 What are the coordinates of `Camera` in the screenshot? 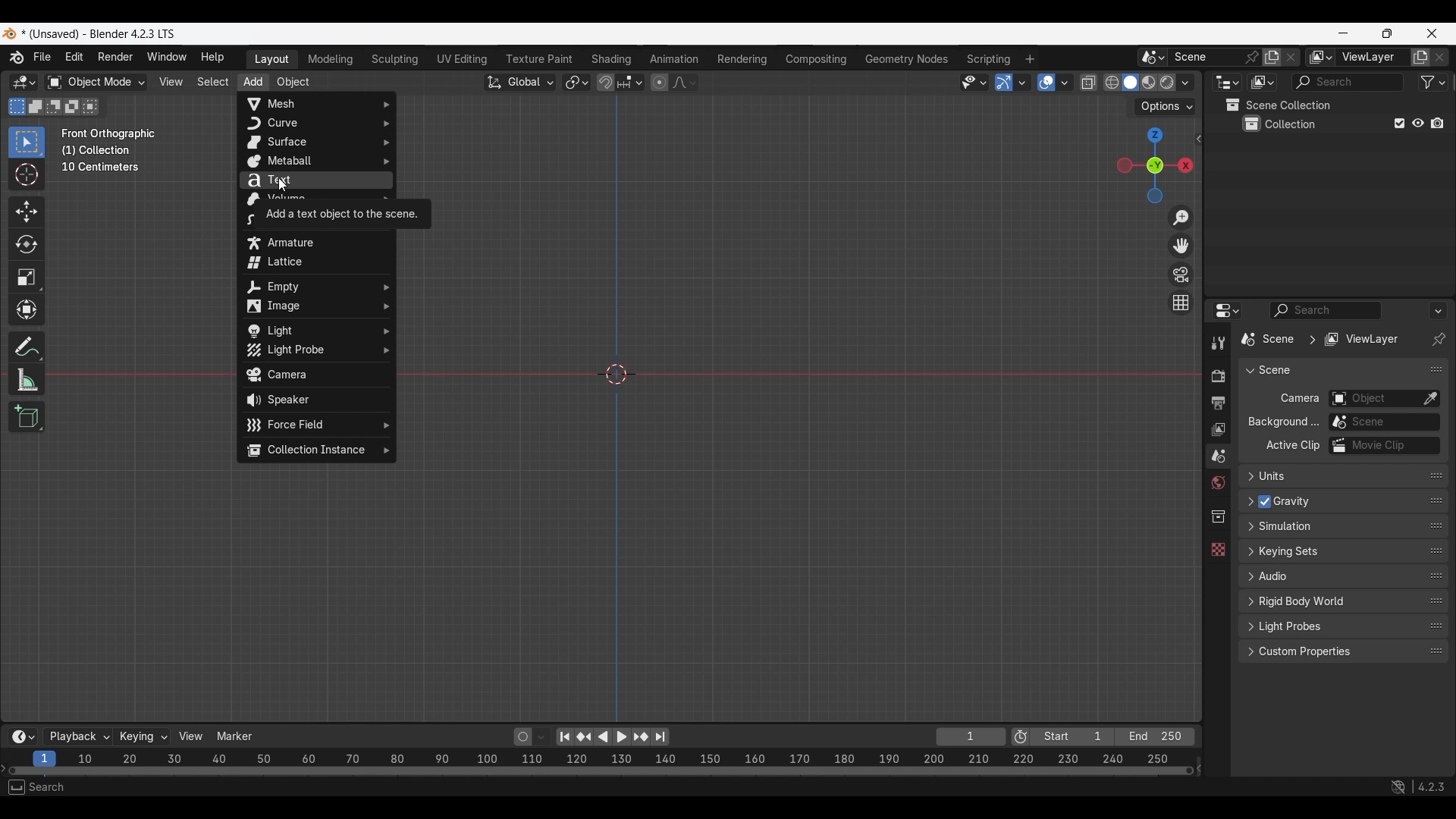 It's located at (1372, 398).